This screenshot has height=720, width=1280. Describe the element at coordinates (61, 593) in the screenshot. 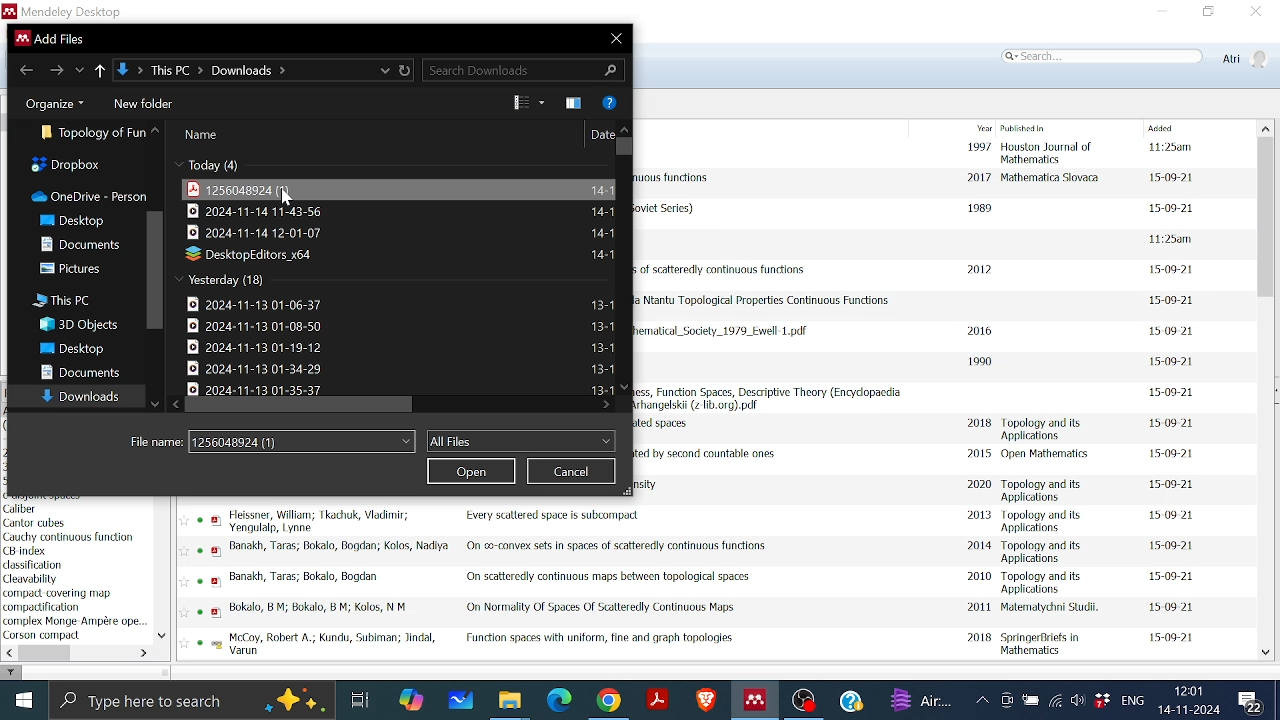

I see `keyword` at that location.